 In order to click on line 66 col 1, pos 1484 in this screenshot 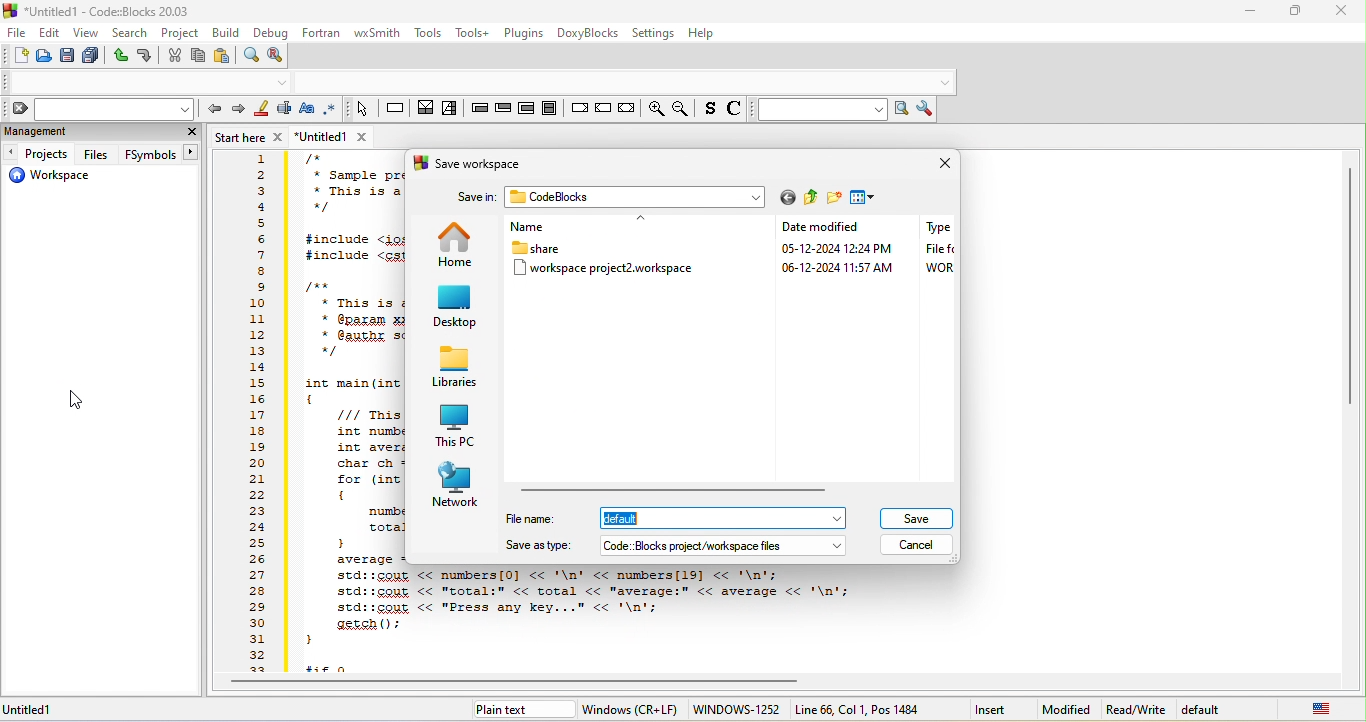, I will do `click(860, 709)`.